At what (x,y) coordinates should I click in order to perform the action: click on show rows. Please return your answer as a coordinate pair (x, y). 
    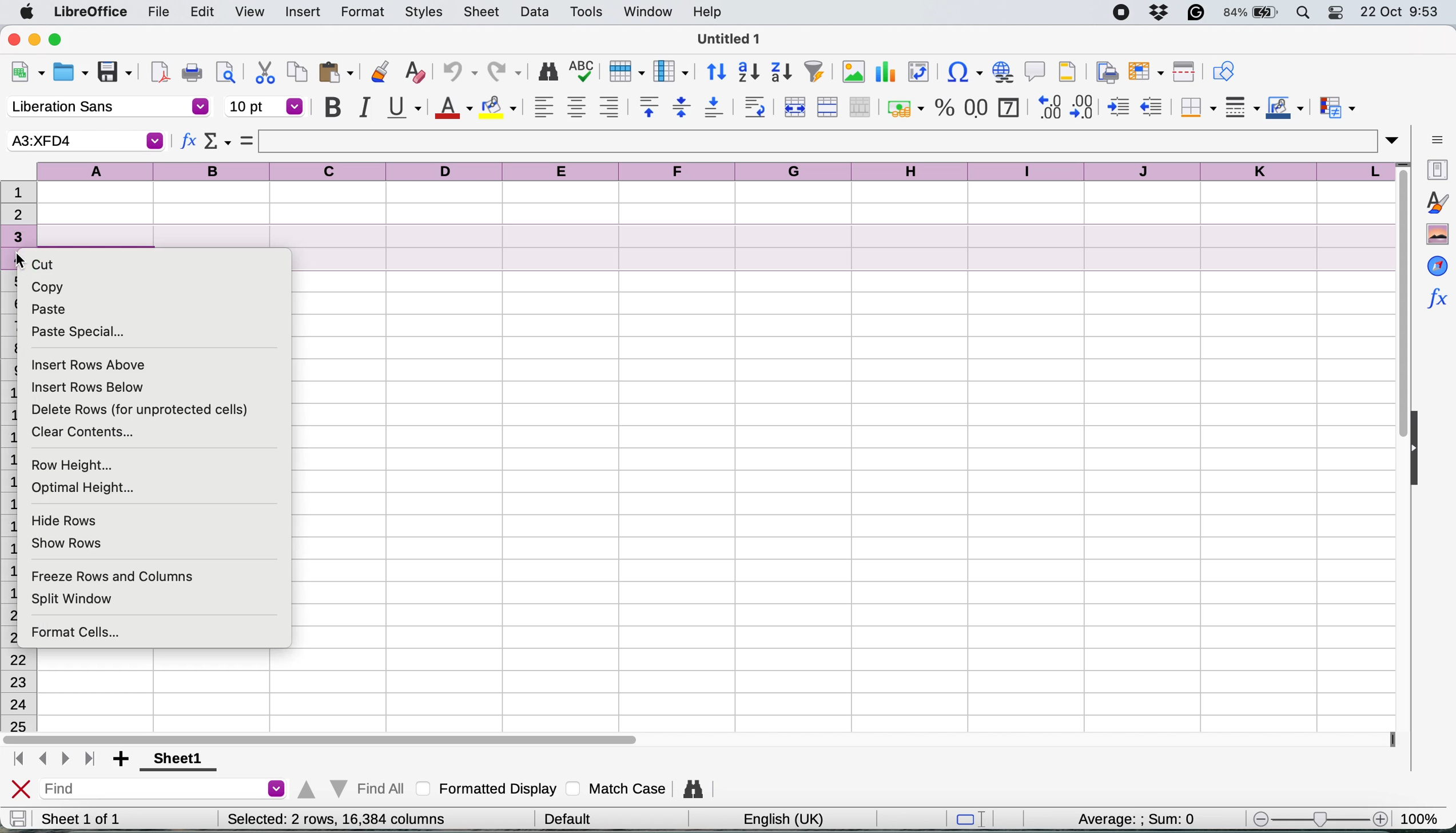
    Looking at the image, I should click on (67, 544).